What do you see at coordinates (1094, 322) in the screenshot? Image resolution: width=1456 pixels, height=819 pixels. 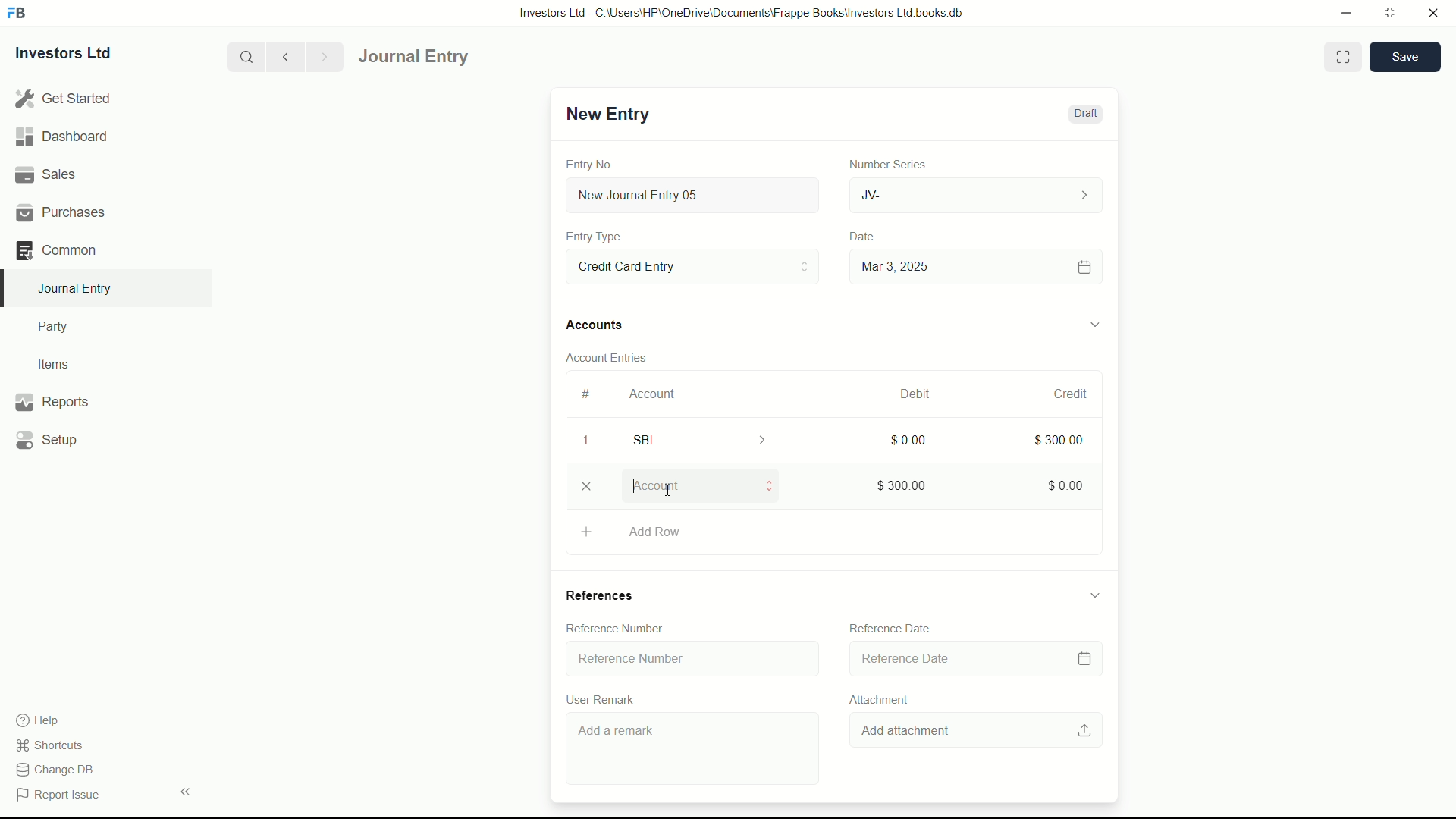 I see `expand/collapse` at bounding box center [1094, 322].